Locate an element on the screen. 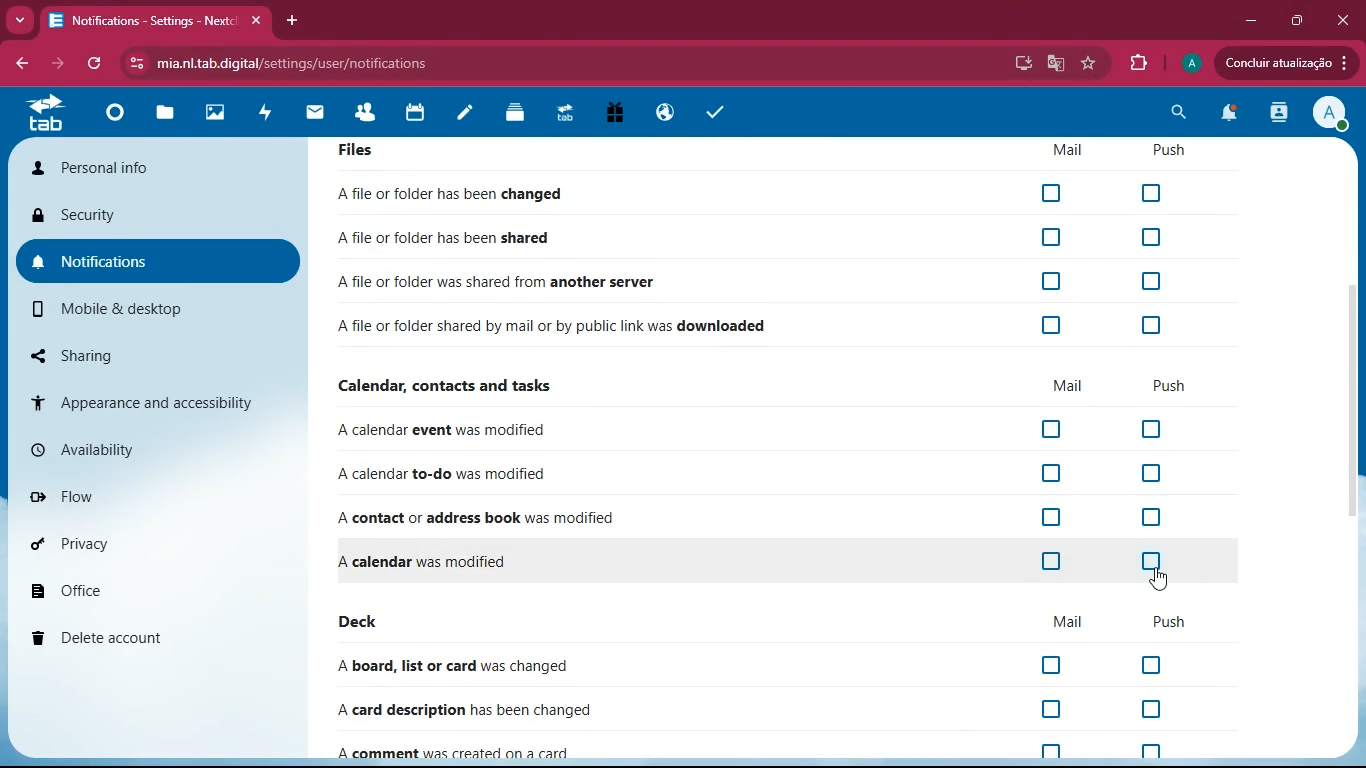 The height and width of the screenshot is (768, 1366). add tab is located at coordinates (294, 22).